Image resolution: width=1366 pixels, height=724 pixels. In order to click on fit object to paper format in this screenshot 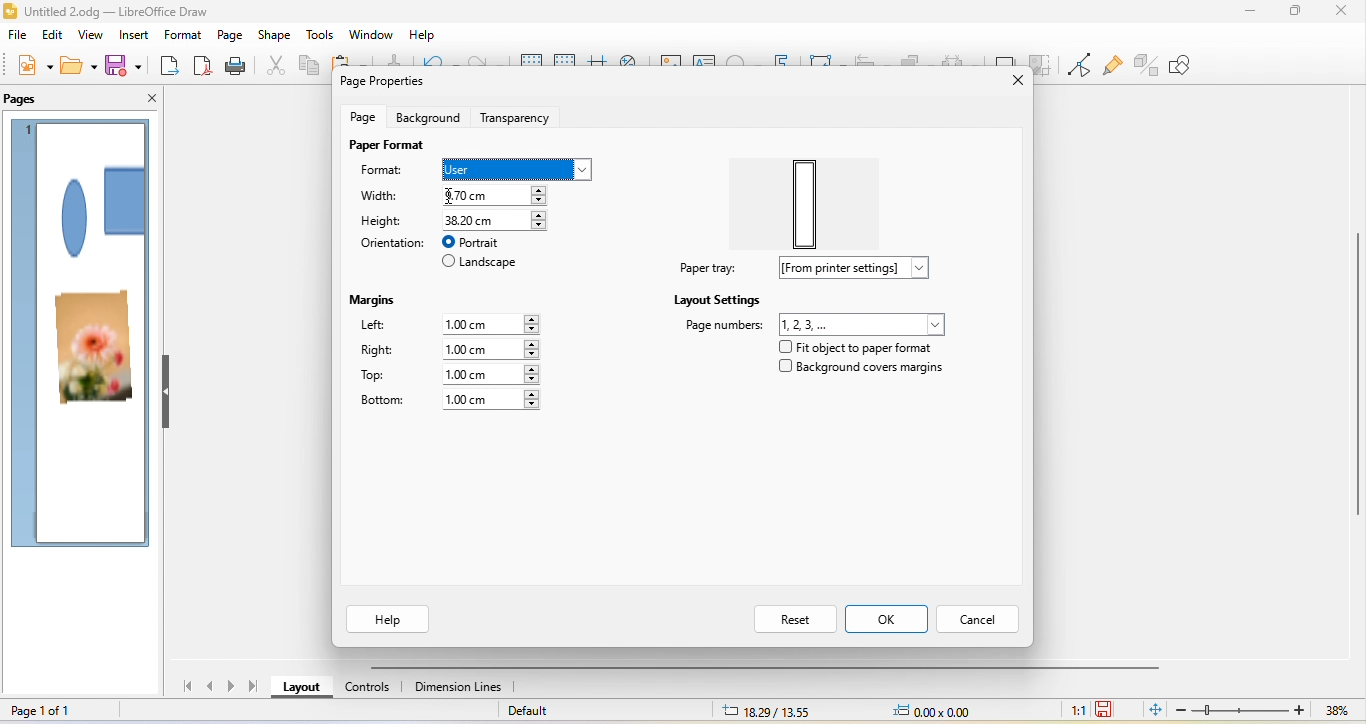, I will do `click(867, 345)`.